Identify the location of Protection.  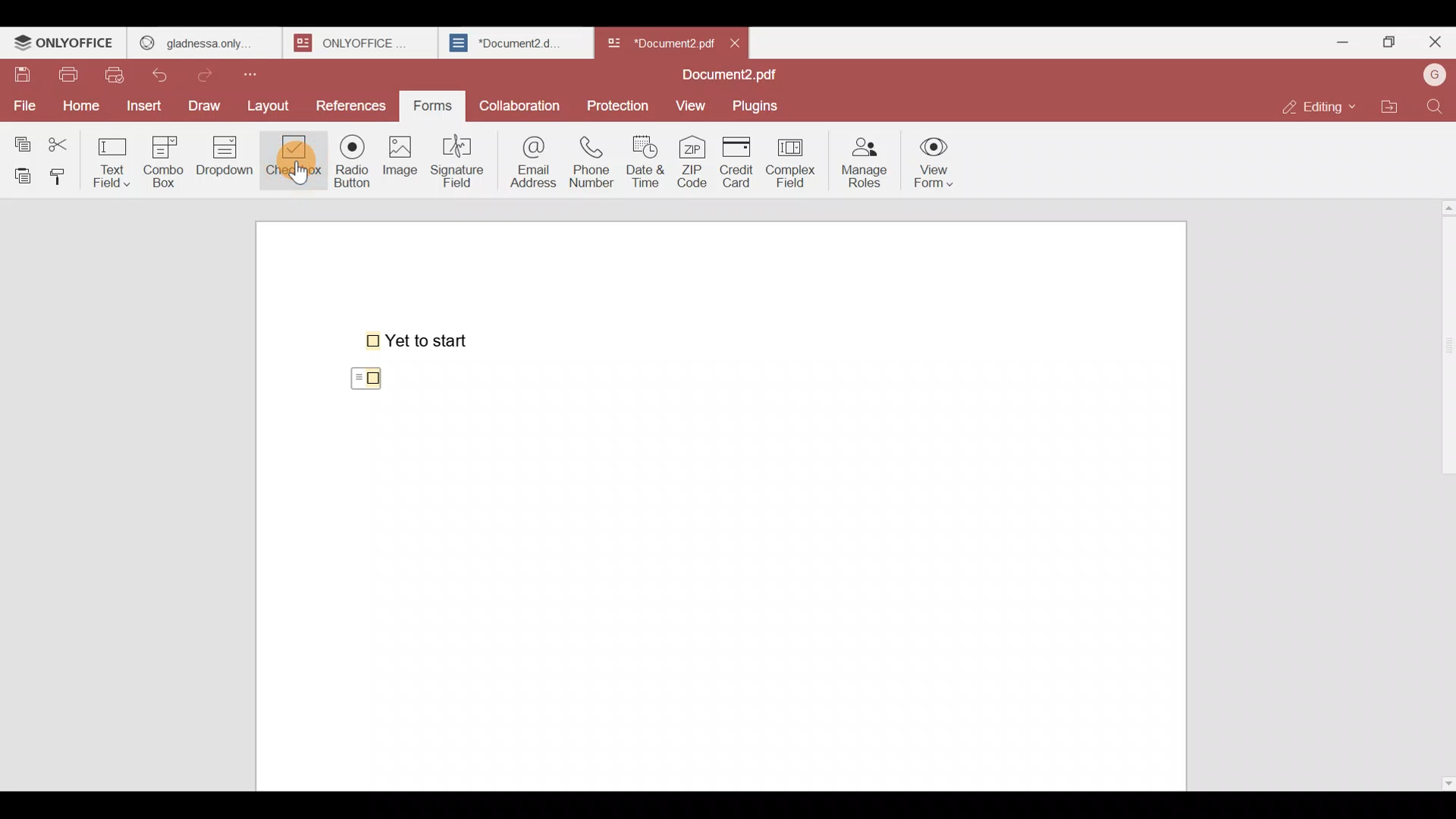
(619, 105).